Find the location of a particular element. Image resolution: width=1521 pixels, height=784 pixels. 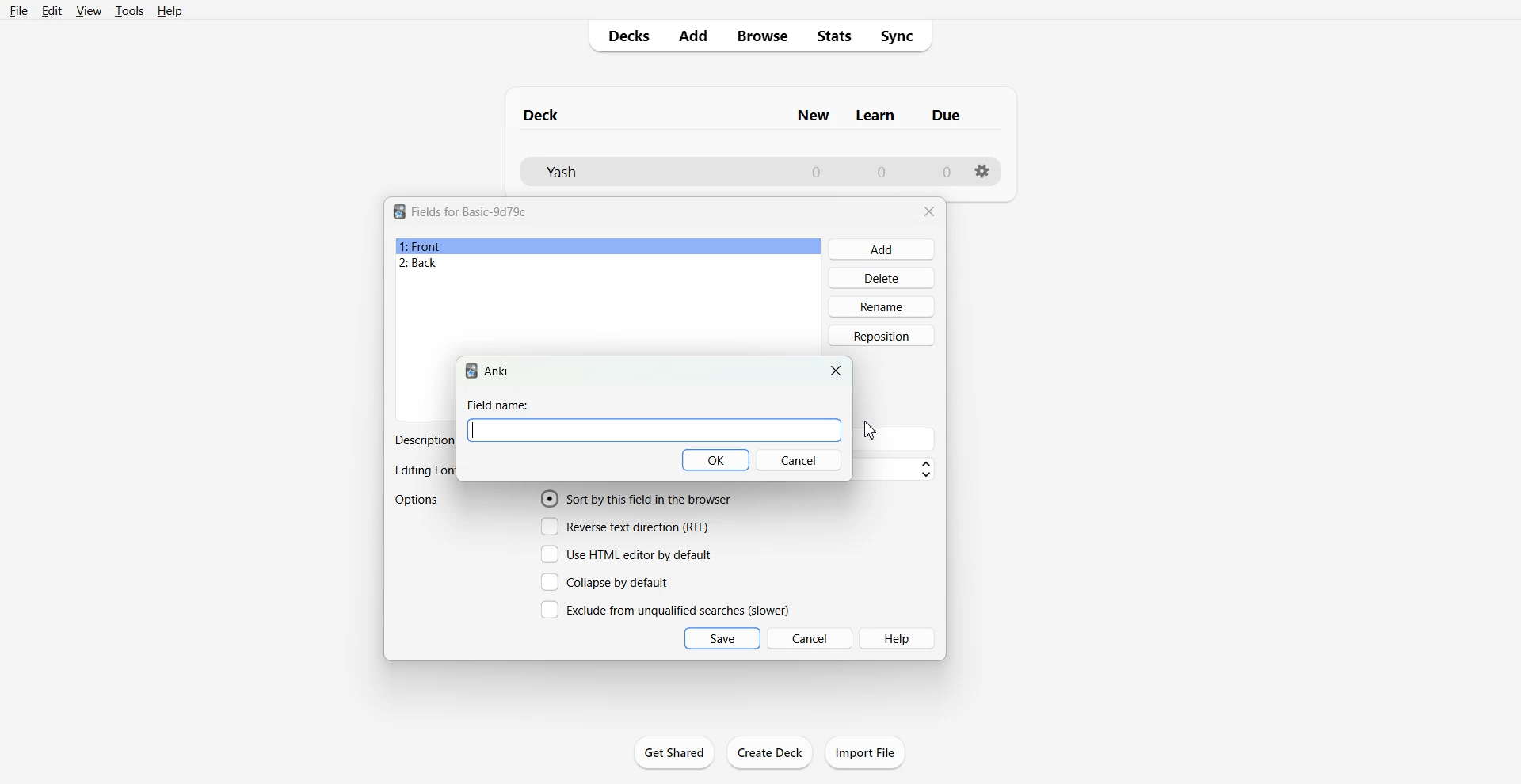

Help is located at coordinates (170, 11).